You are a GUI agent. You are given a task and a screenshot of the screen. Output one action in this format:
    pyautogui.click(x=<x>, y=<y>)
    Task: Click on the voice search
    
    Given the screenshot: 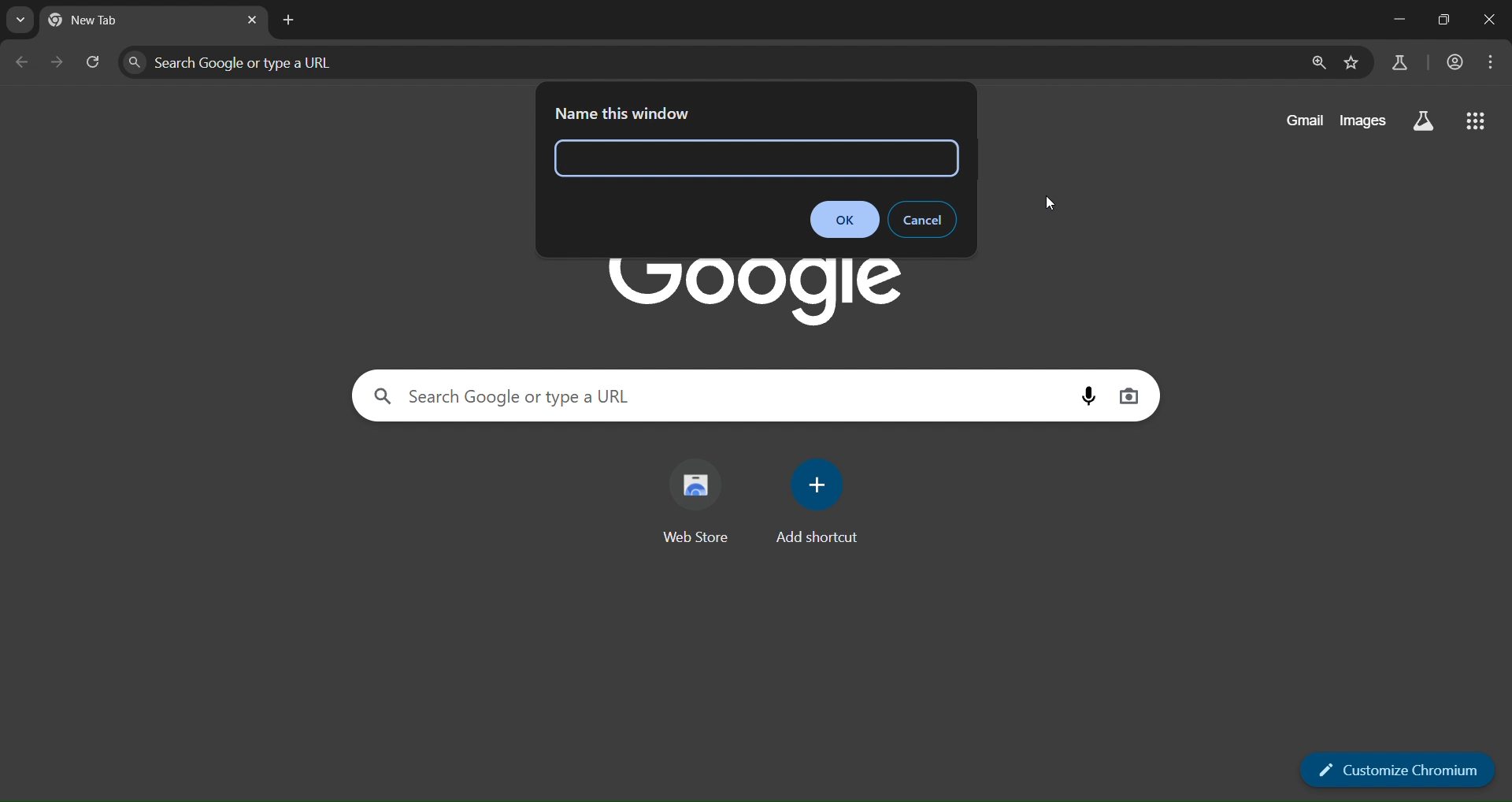 What is the action you would take?
    pyautogui.click(x=1086, y=394)
    